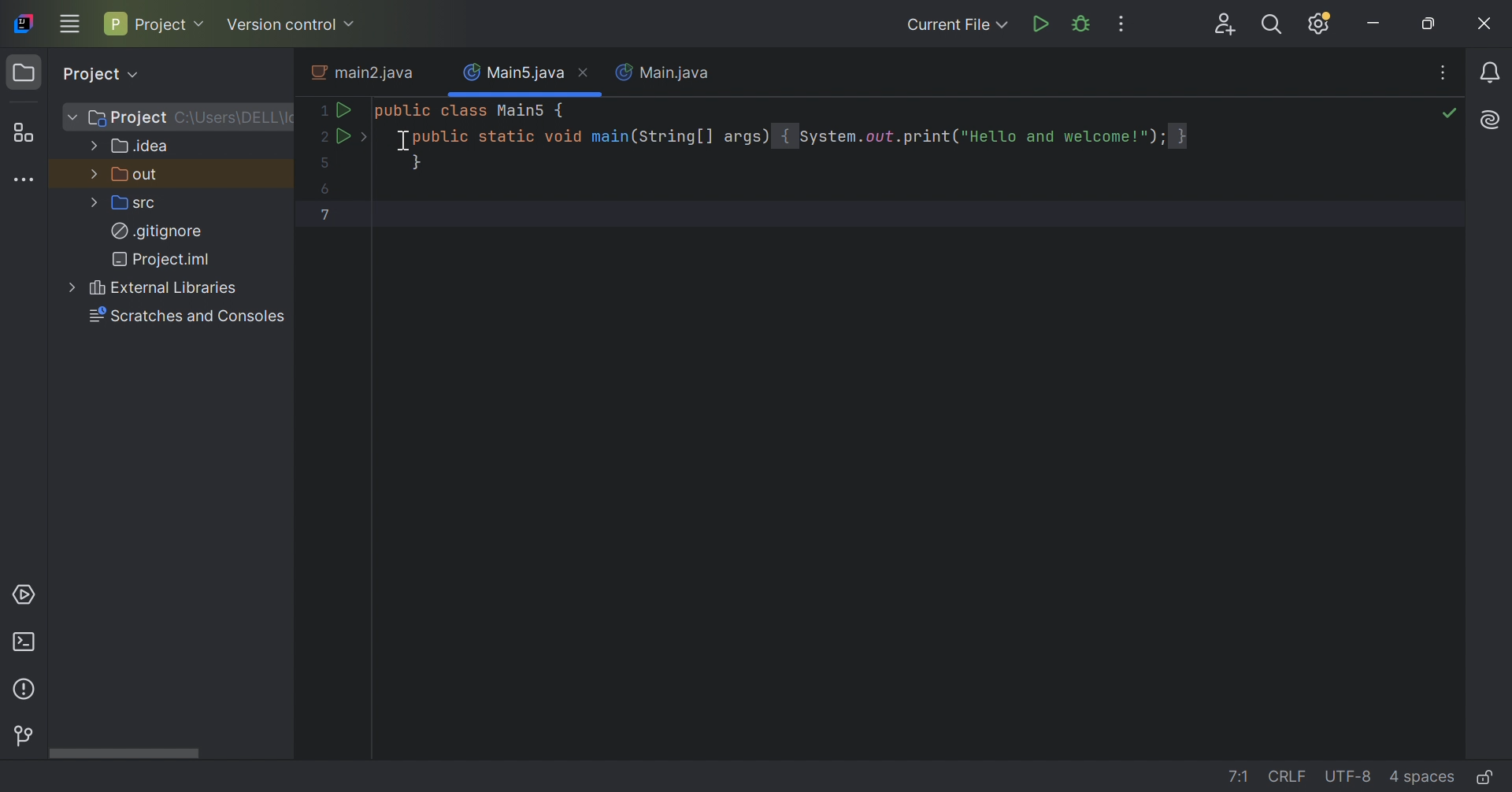 The image size is (1512, 792). I want to click on Scratches and Consoles, so click(189, 317).